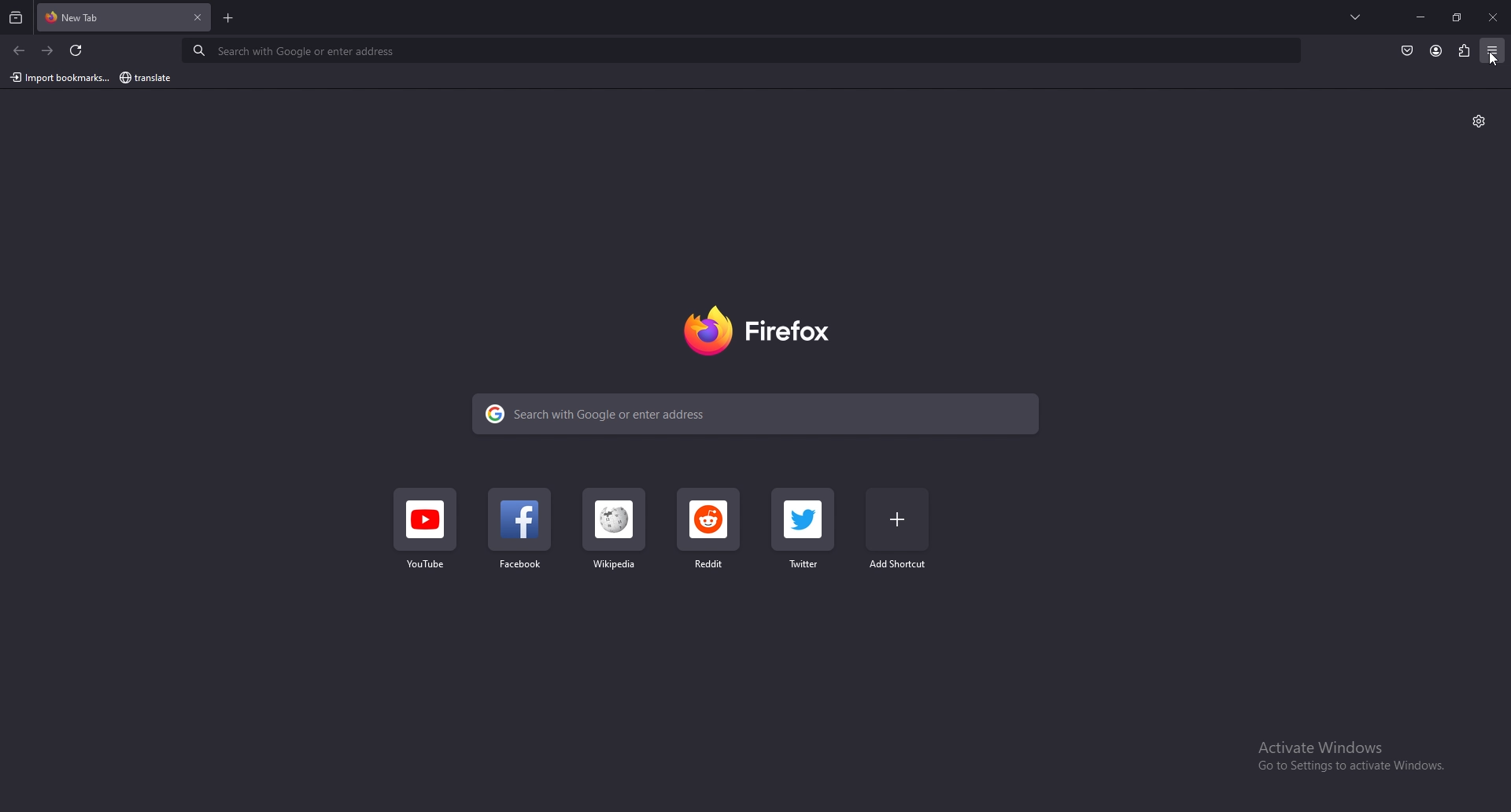 This screenshot has height=812, width=1511. What do you see at coordinates (1479, 120) in the screenshot?
I see `customize` at bounding box center [1479, 120].